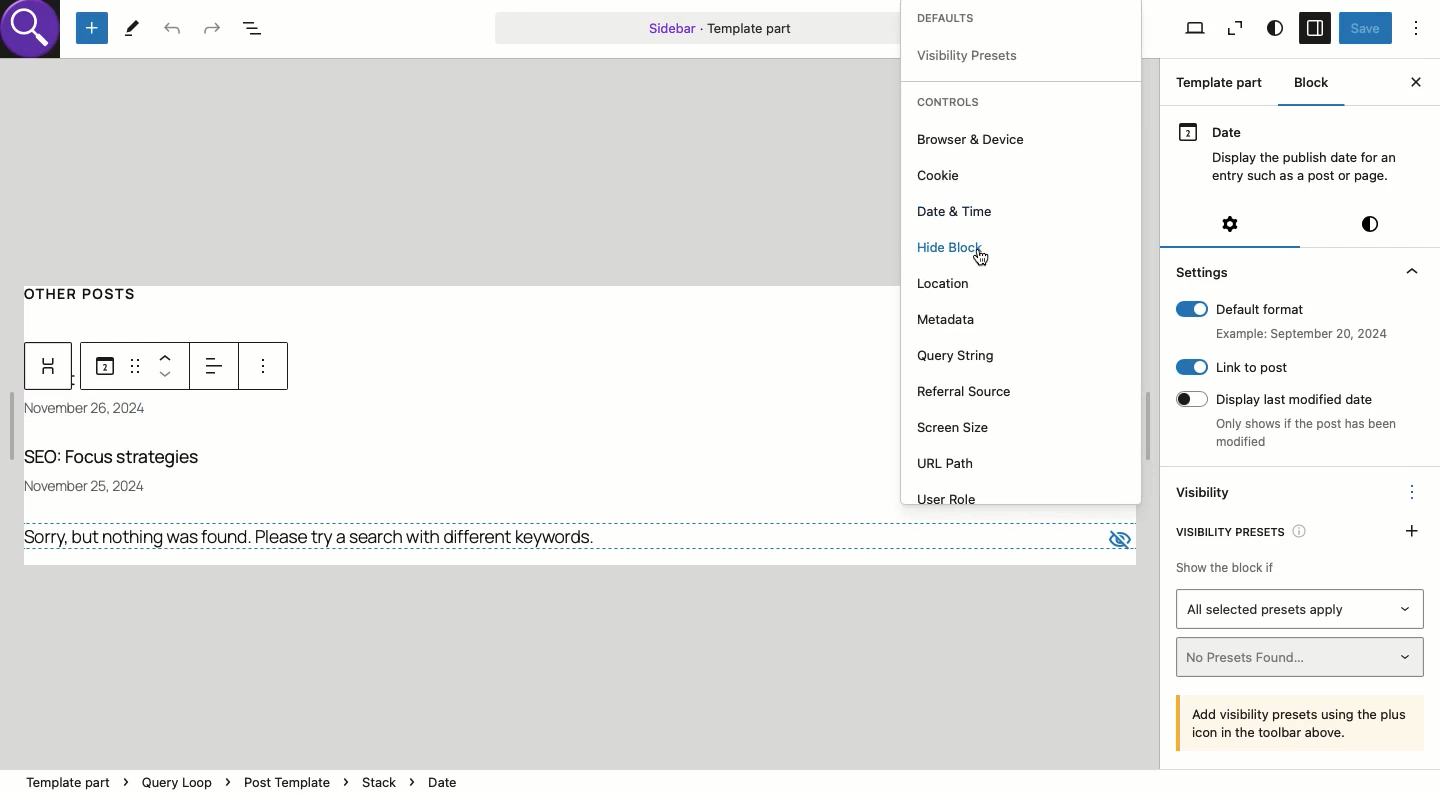  I want to click on more options, so click(261, 368).